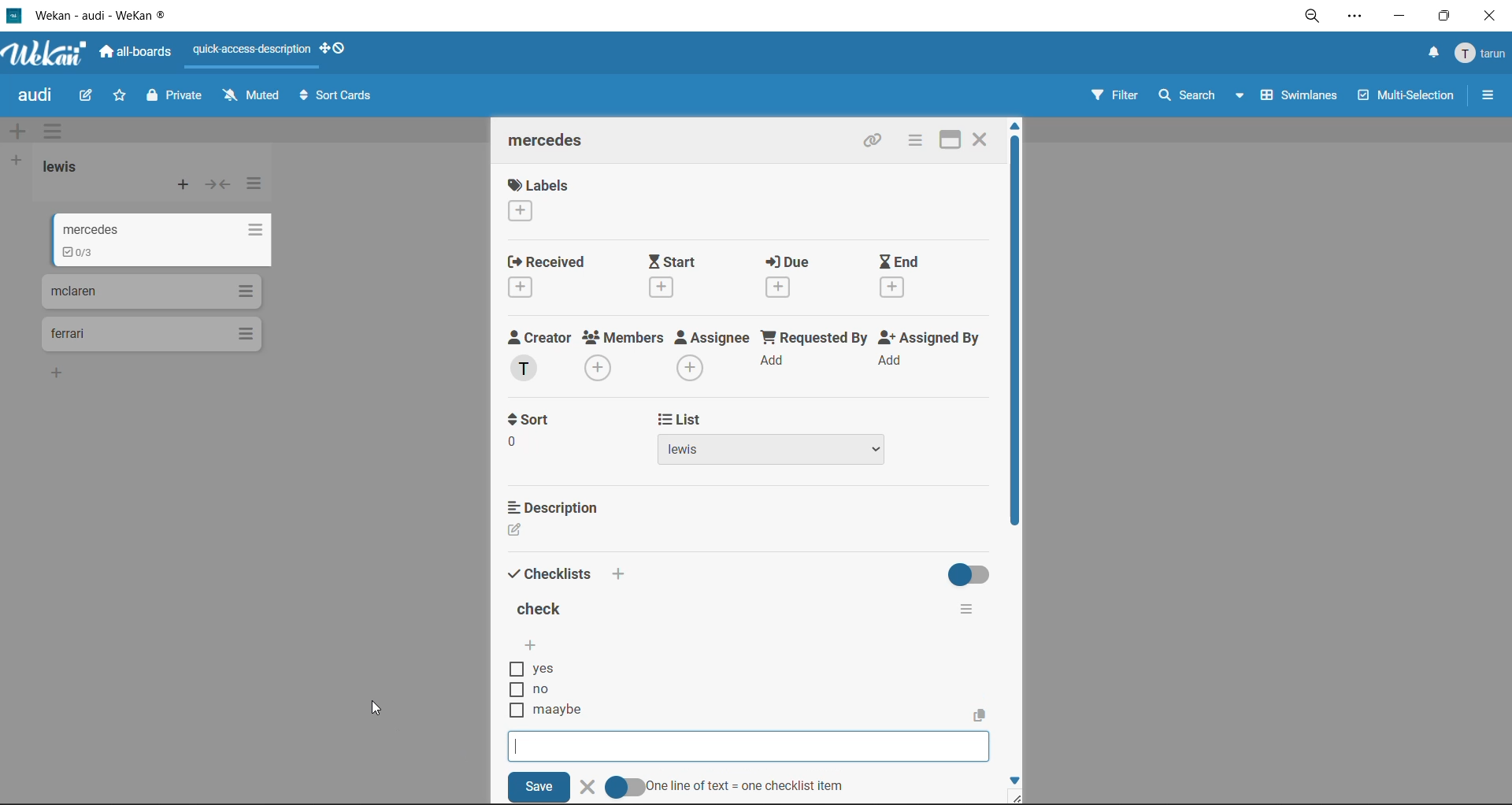  Describe the element at coordinates (624, 354) in the screenshot. I see `members` at that location.